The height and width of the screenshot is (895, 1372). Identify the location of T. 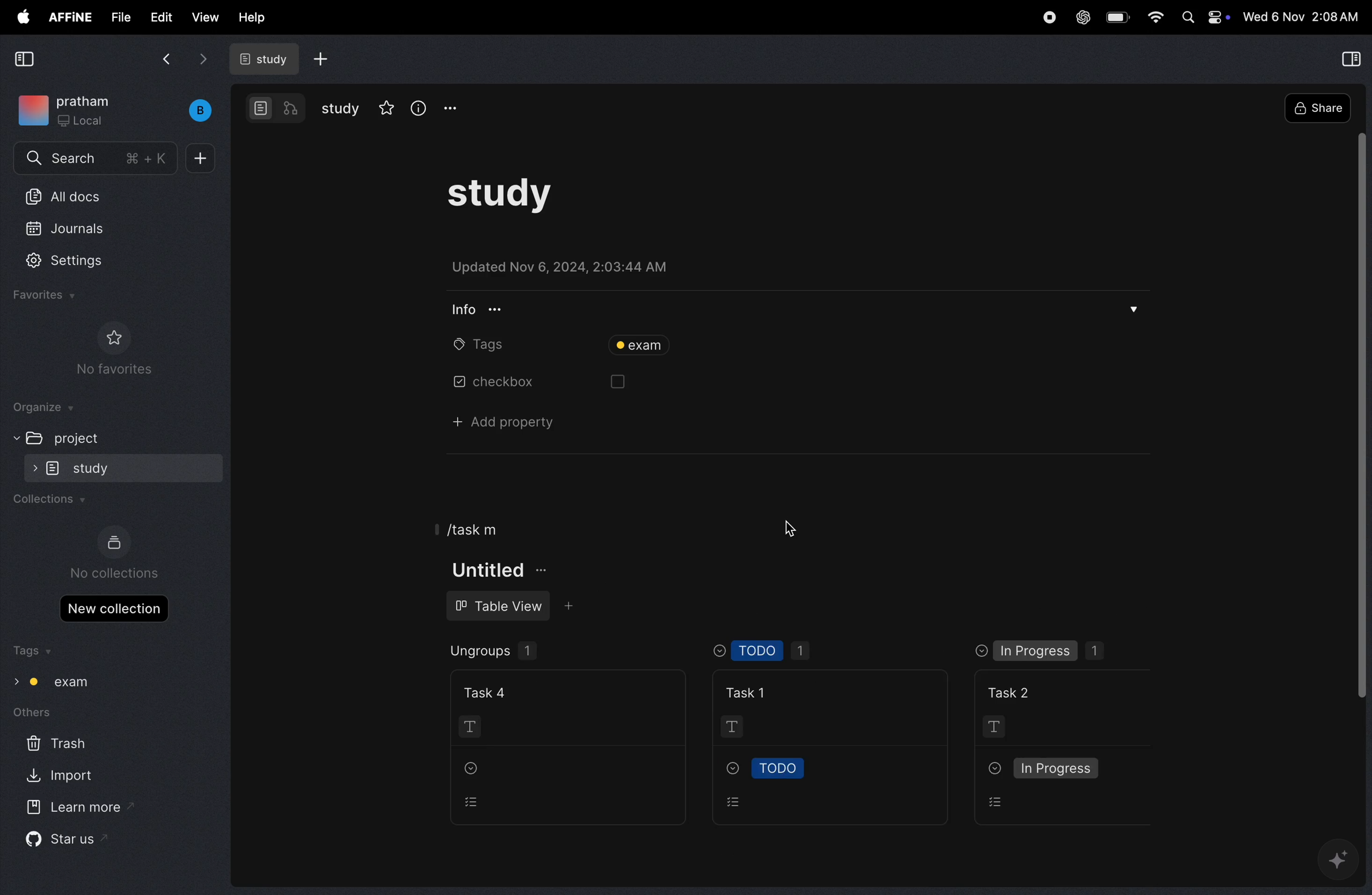
(995, 728).